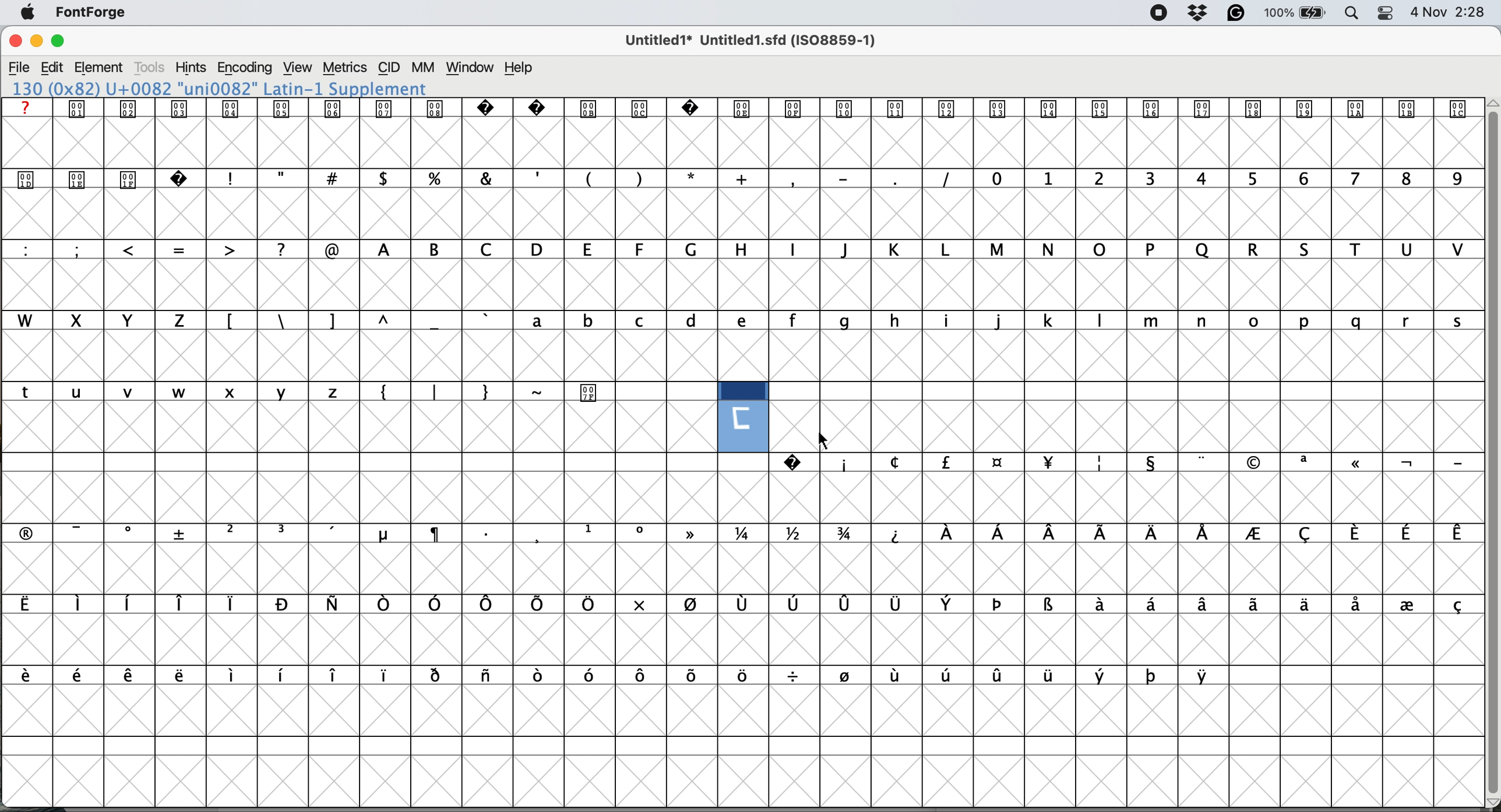 This screenshot has width=1501, height=812. What do you see at coordinates (232, 87) in the screenshot?
I see `font name` at bounding box center [232, 87].